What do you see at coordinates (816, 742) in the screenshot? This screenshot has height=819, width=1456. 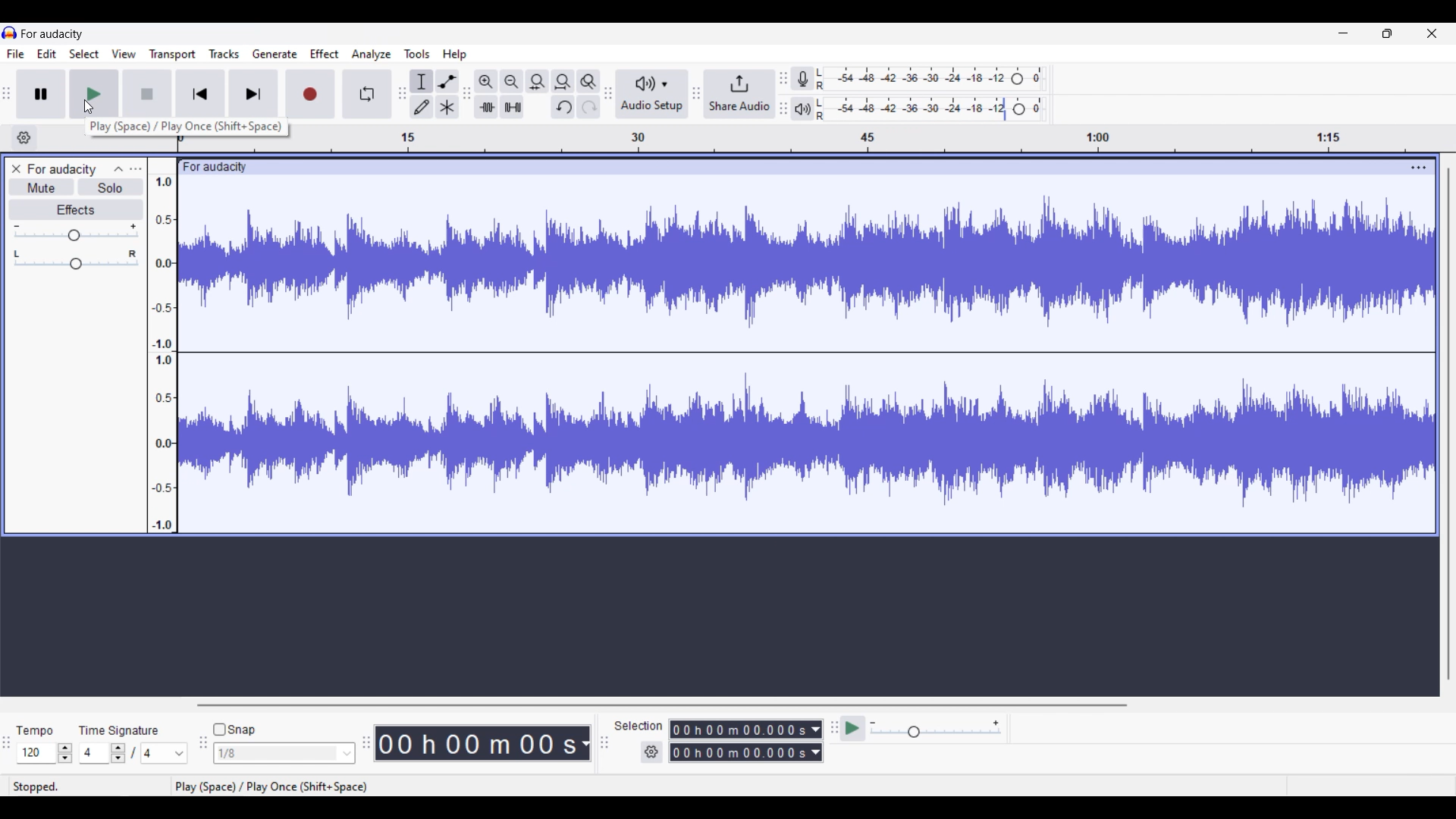 I see `Duration measurement` at bounding box center [816, 742].